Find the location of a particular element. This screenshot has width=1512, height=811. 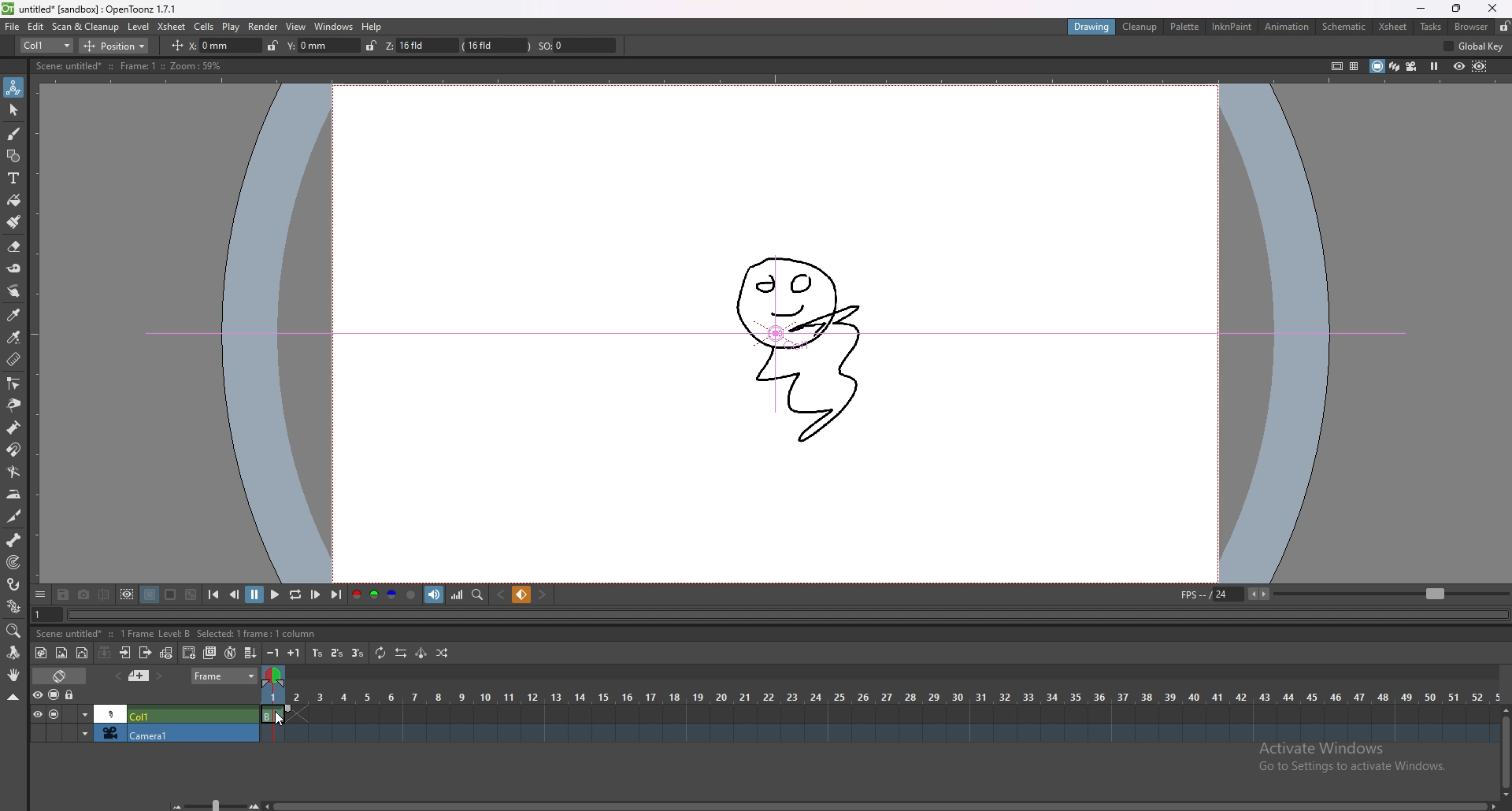

animation is located at coordinates (1286, 26).